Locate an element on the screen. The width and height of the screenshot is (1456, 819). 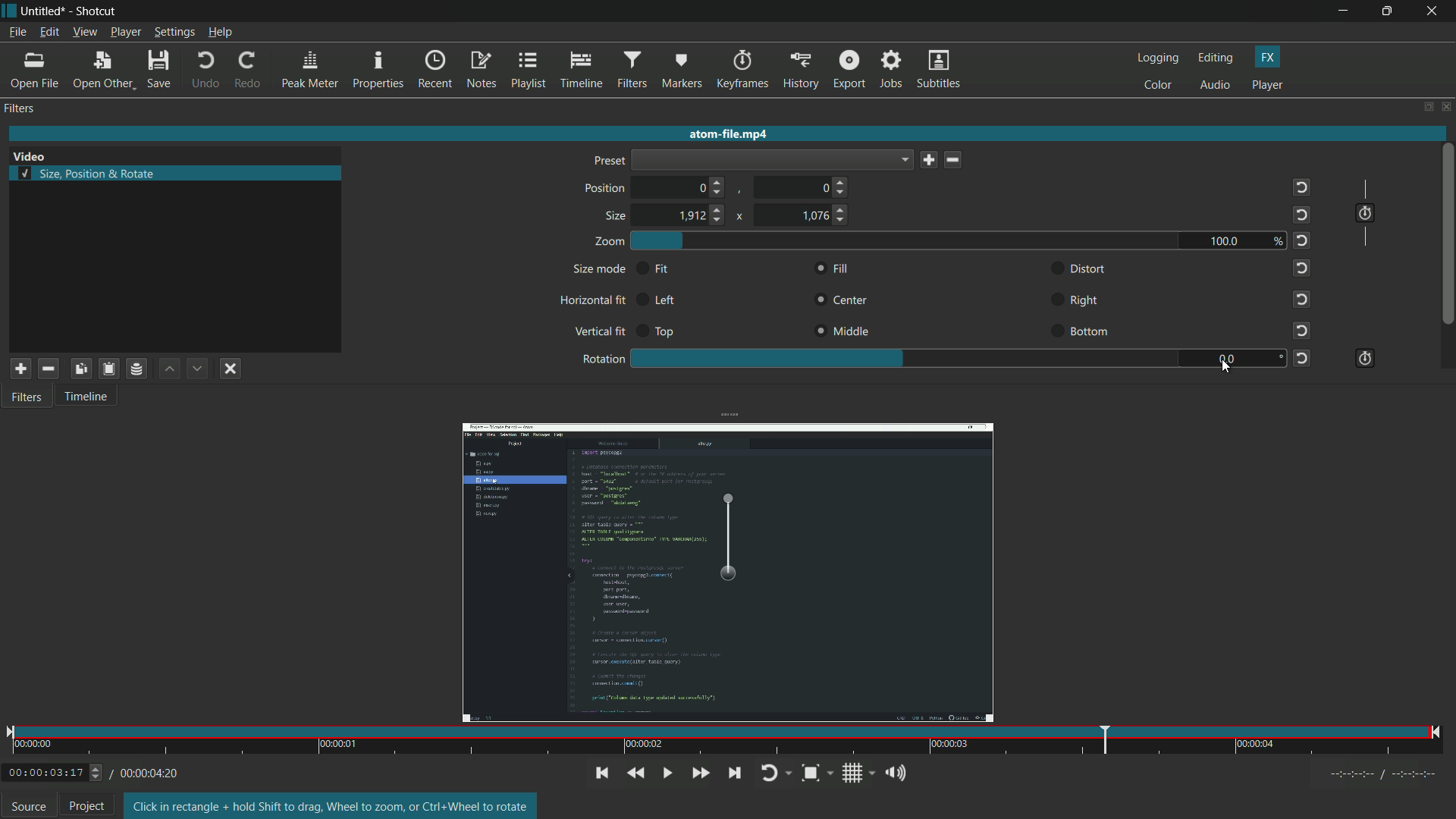
subtitles is located at coordinates (941, 70).